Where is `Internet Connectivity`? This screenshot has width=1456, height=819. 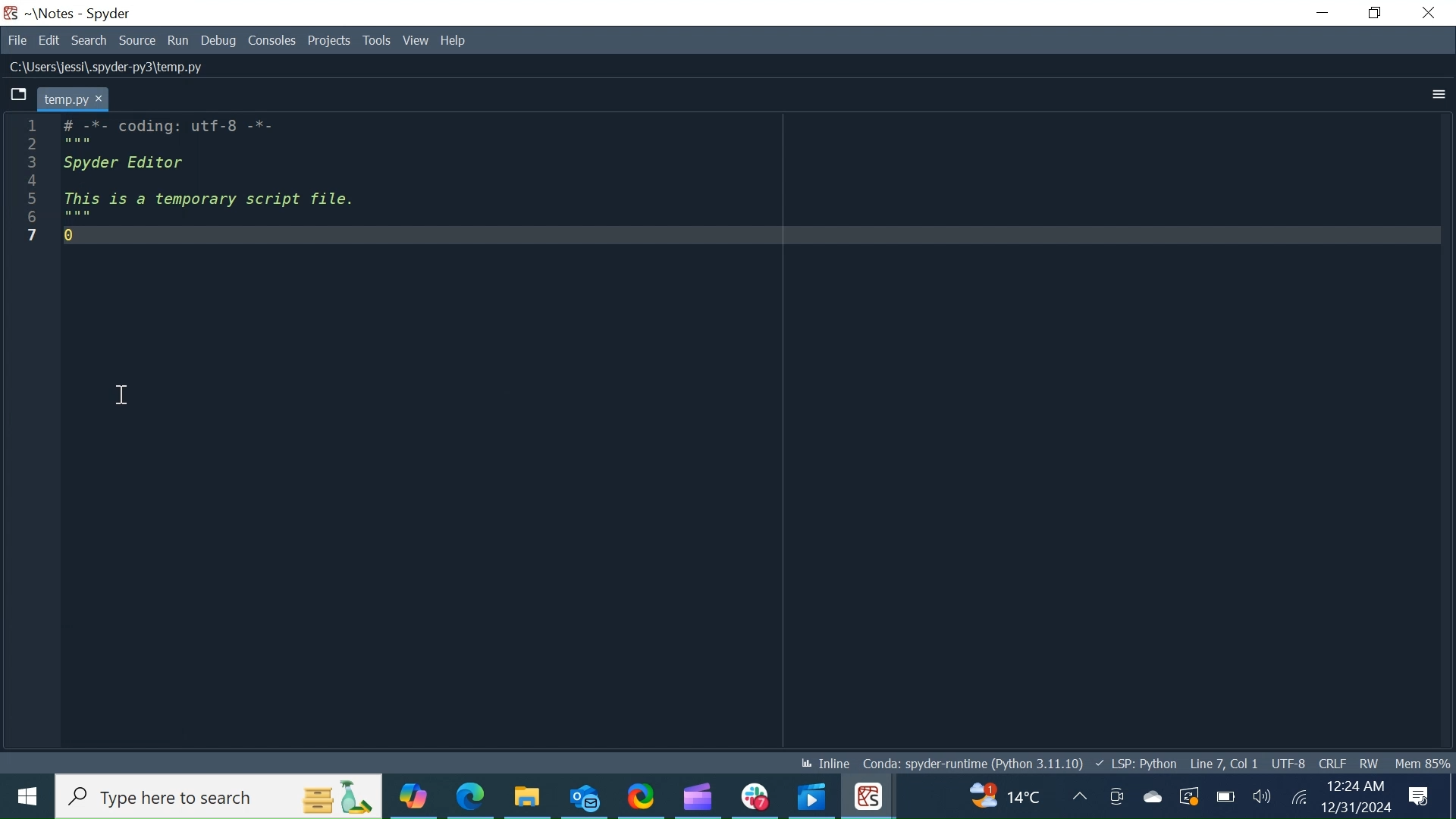
Internet Connectivity is located at coordinates (1298, 795).